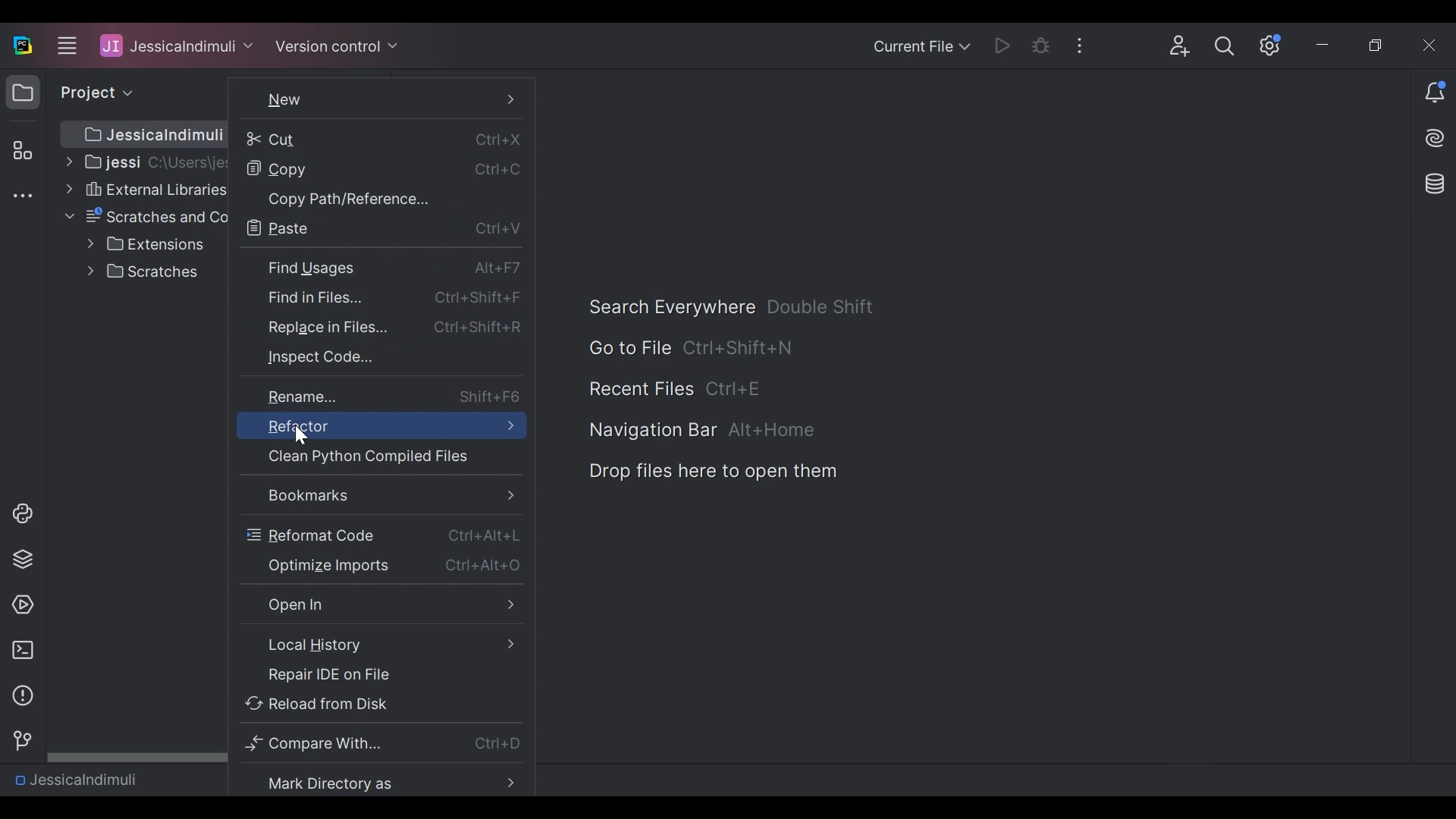 This screenshot has height=819, width=1456. What do you see at coordinates (378, 676) in the screenshot?
I see `Repair IDE on File` at bounding box center [378, 676].